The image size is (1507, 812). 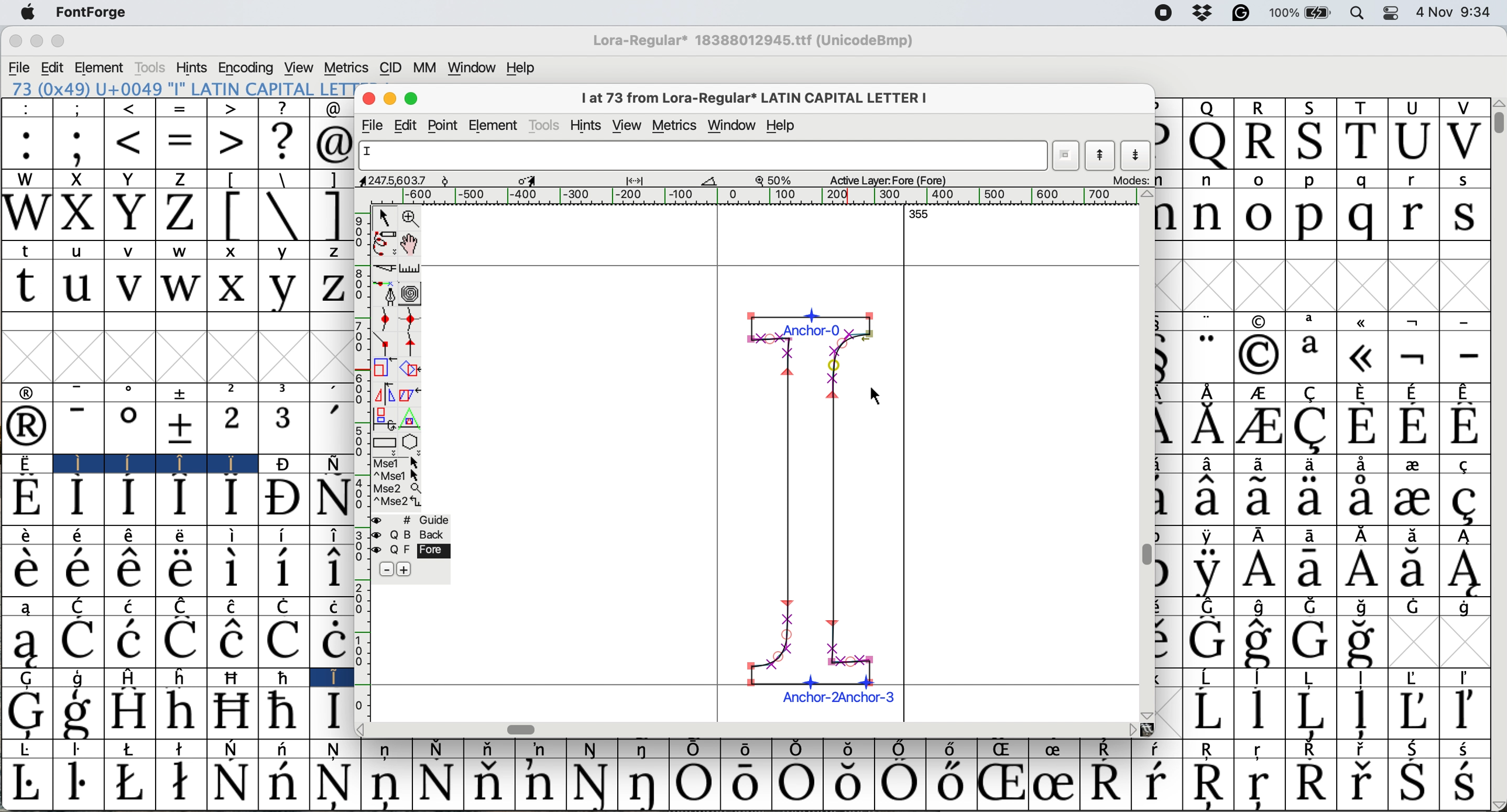 What do you see at coordinates (1261, 214) in the screenshot?
I see `o` at bounding box center [1261, 214].